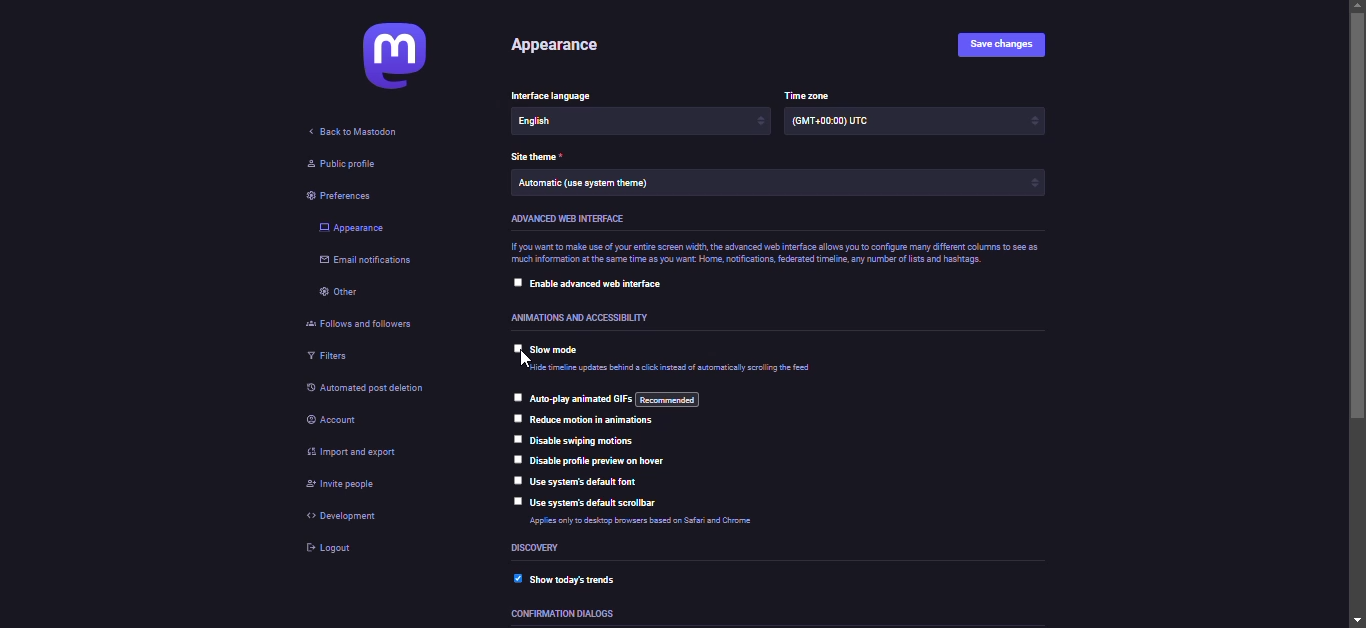  I want to click on animations and accessibility, so click(580, 317).